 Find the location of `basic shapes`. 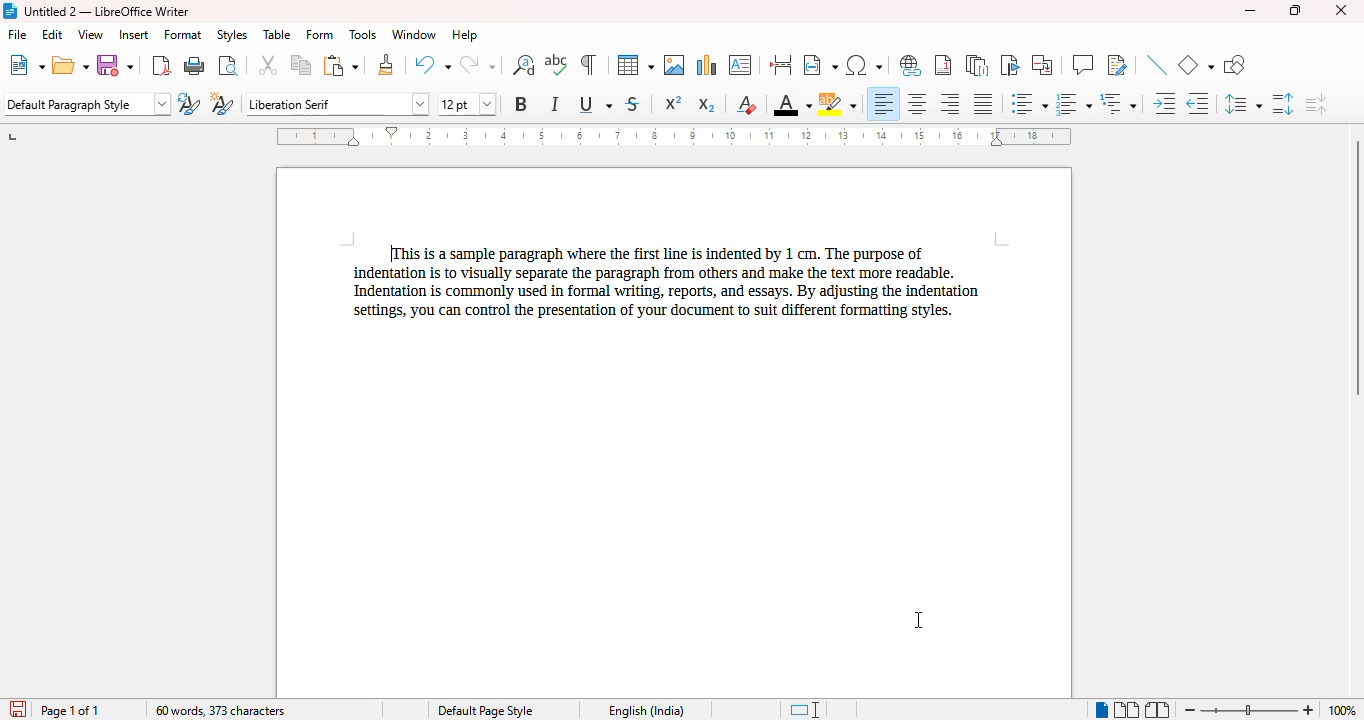

basic shapes is located at coordinates (1196, 65).